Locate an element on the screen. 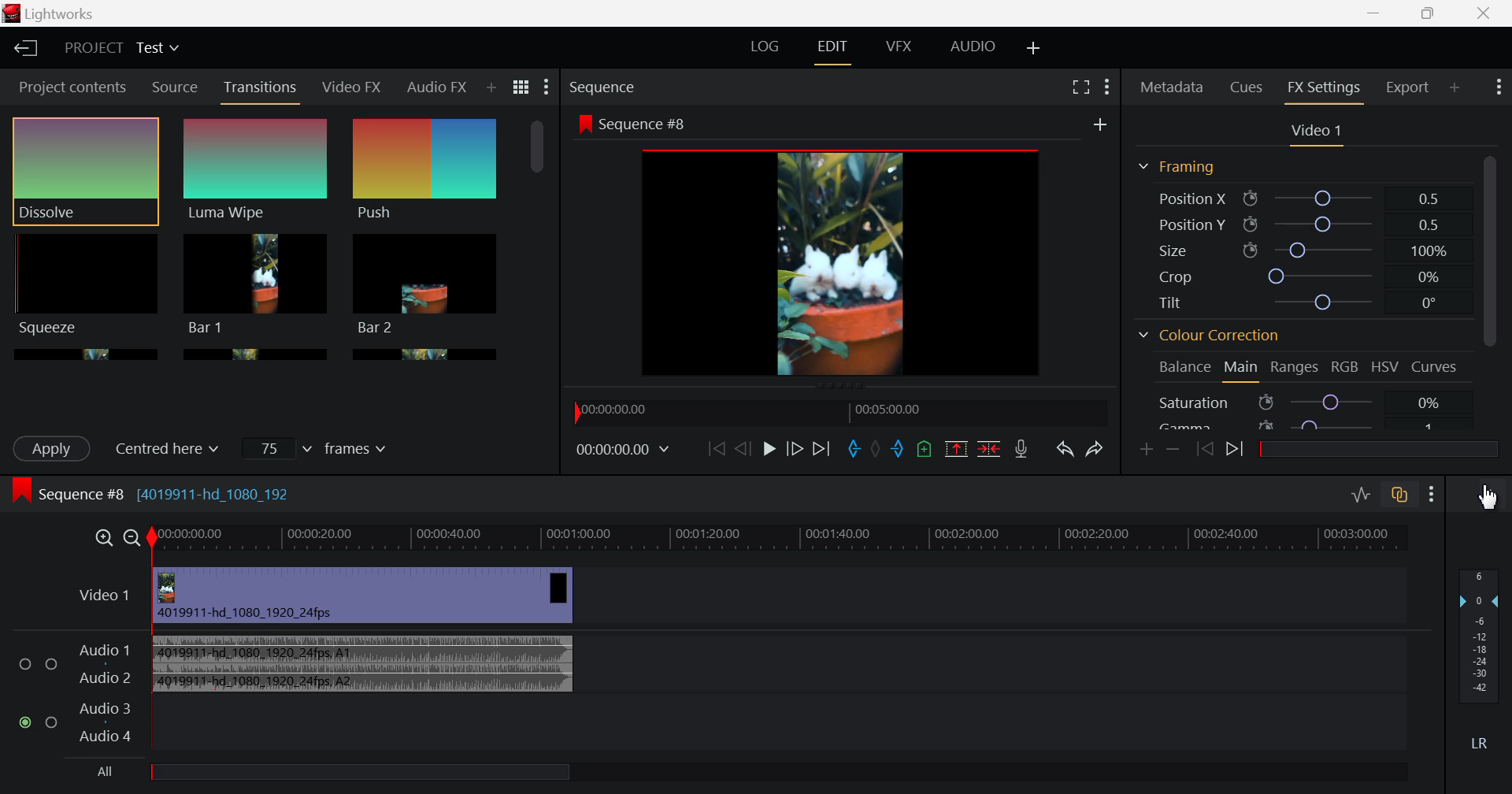 Image resolution: width=1512 pixels, height=794 pixels. Add Panel is located at coordinates (491, 88).